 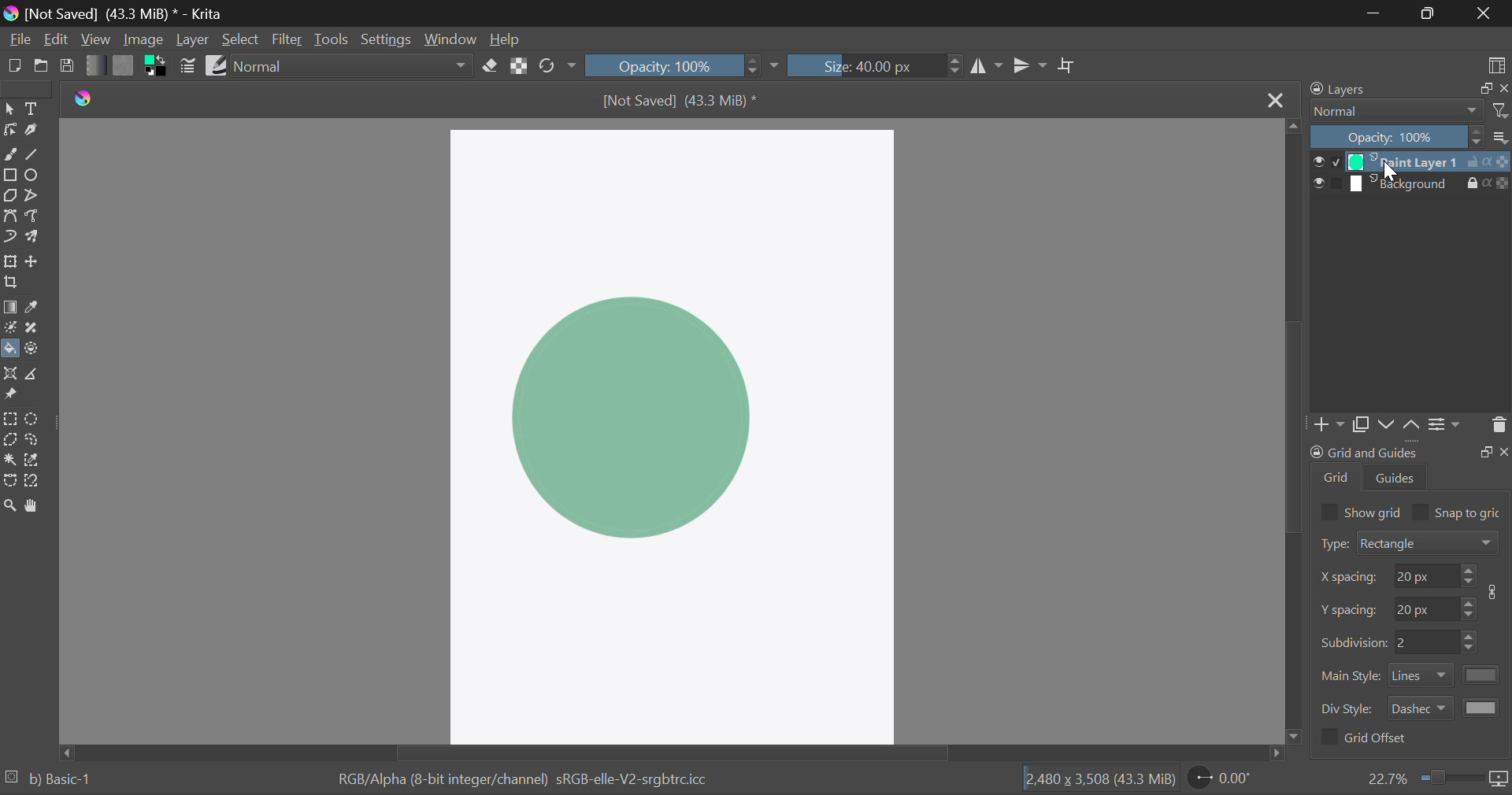 What do you see at coordinates (10, 505) in the screenshot?
I see `Zoom` at bounding box center [10, 505].